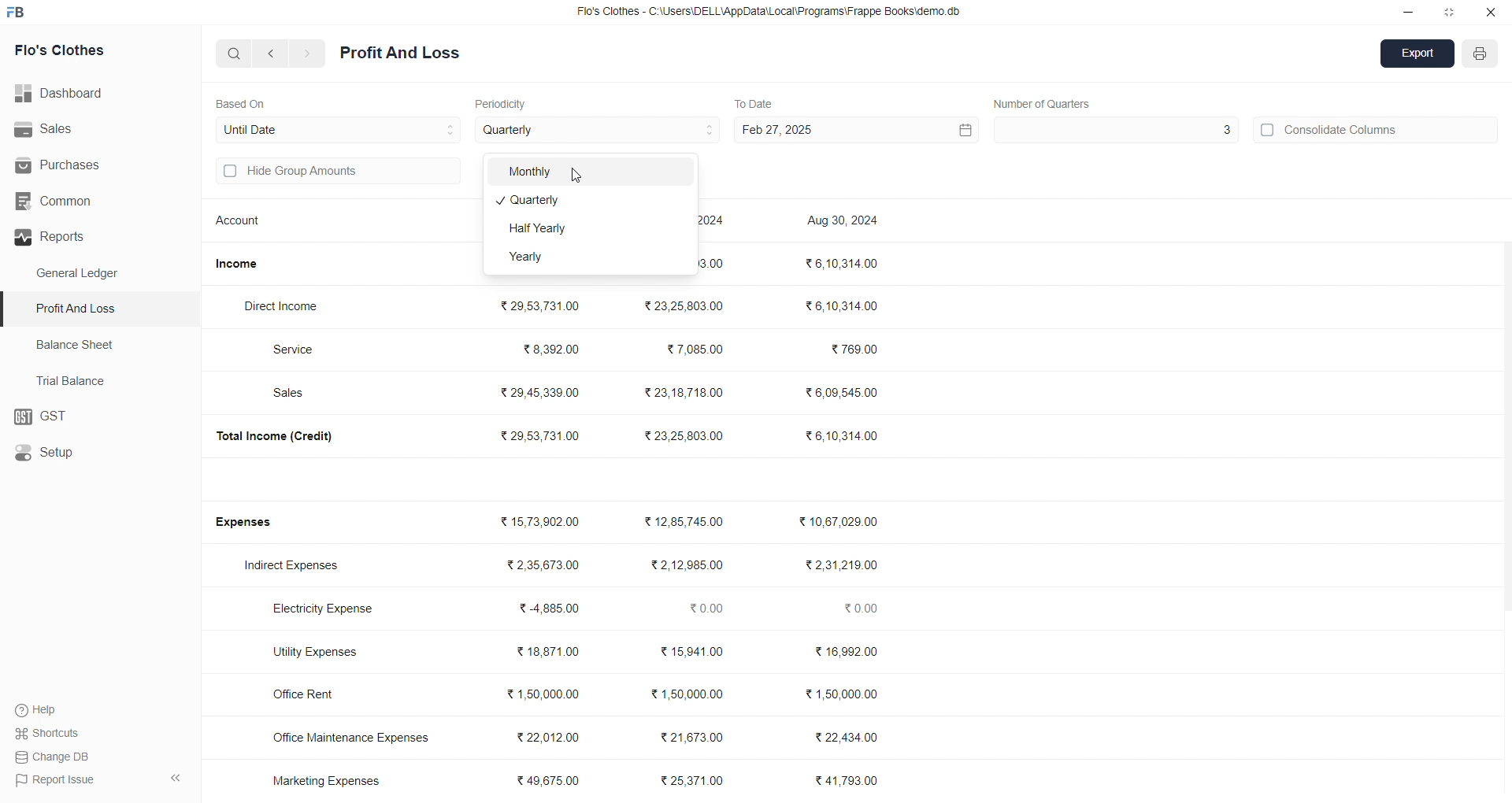 The height and width of the screenshot is (803, 1512). I want to click on Dashboard, so click(67, 94).